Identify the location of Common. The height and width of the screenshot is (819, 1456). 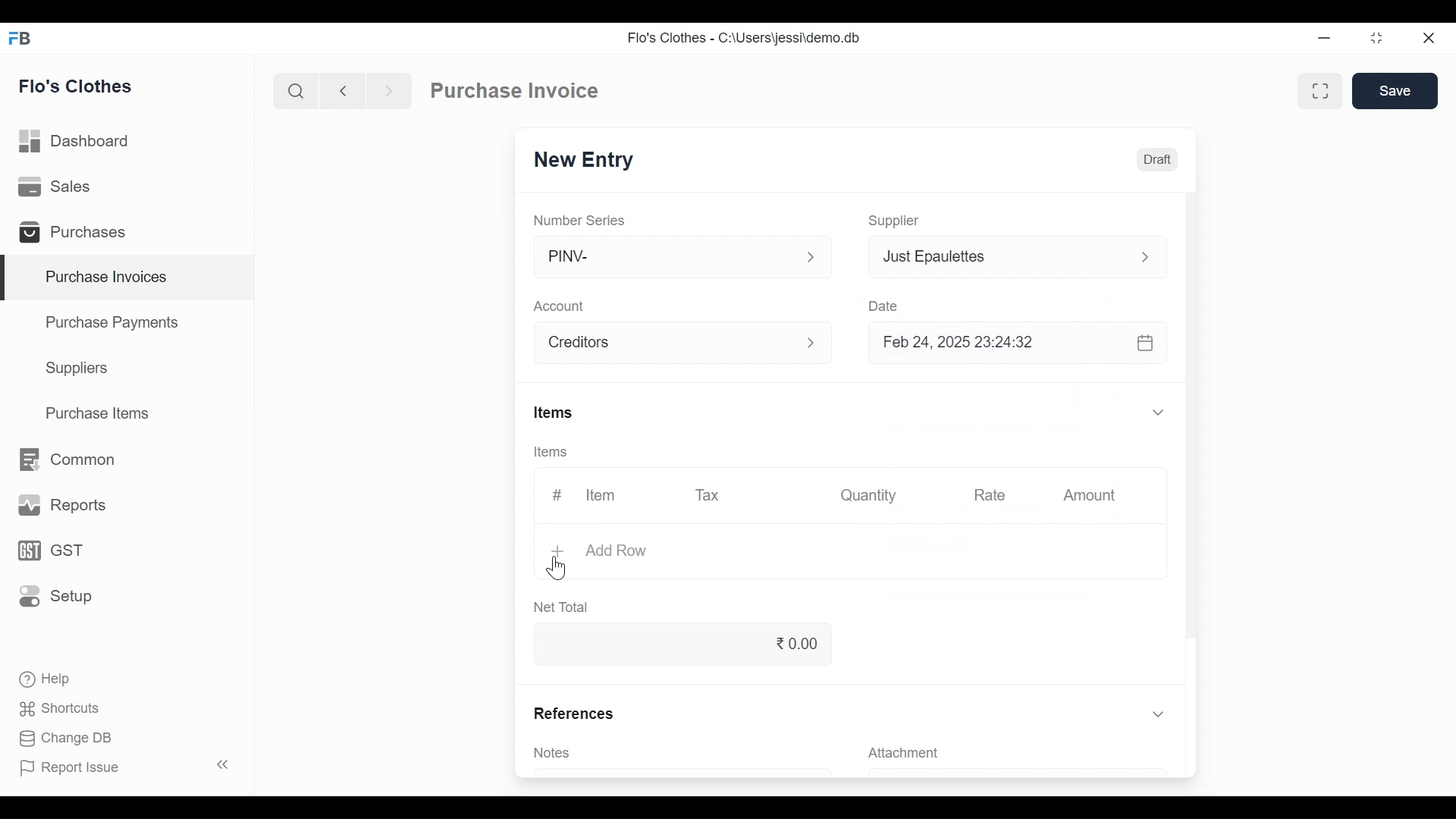
(70, 459).